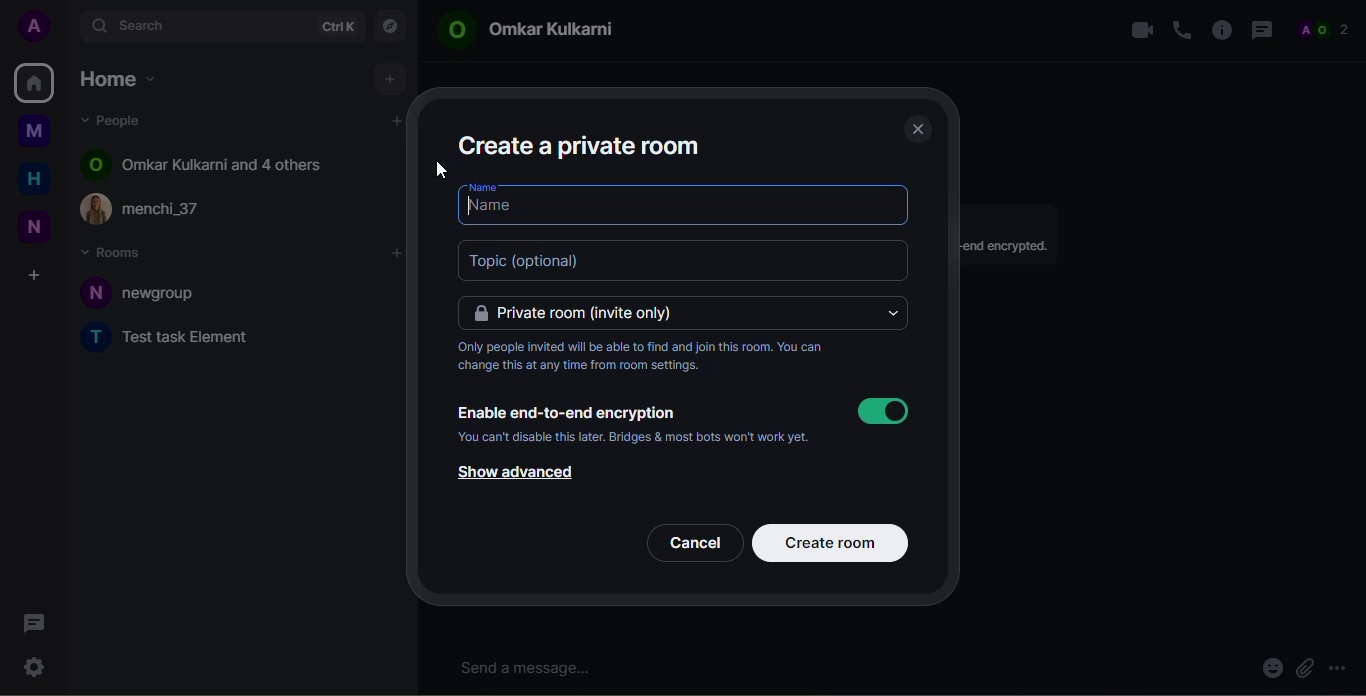  What do you see at coordinates (1261, 30) in the screenshot?
I see `threads` at bounding box center [1261, 30].